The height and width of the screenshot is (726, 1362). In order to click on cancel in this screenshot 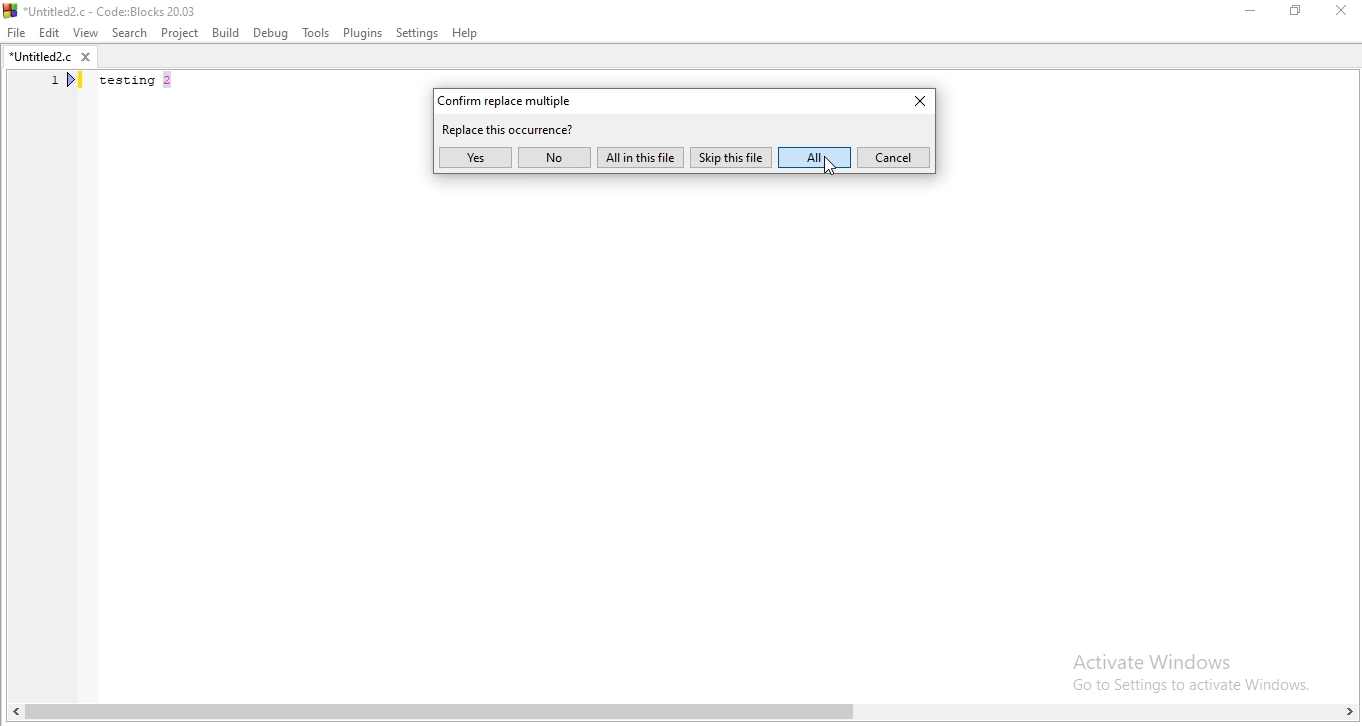, I will do `click(893, 157)`.